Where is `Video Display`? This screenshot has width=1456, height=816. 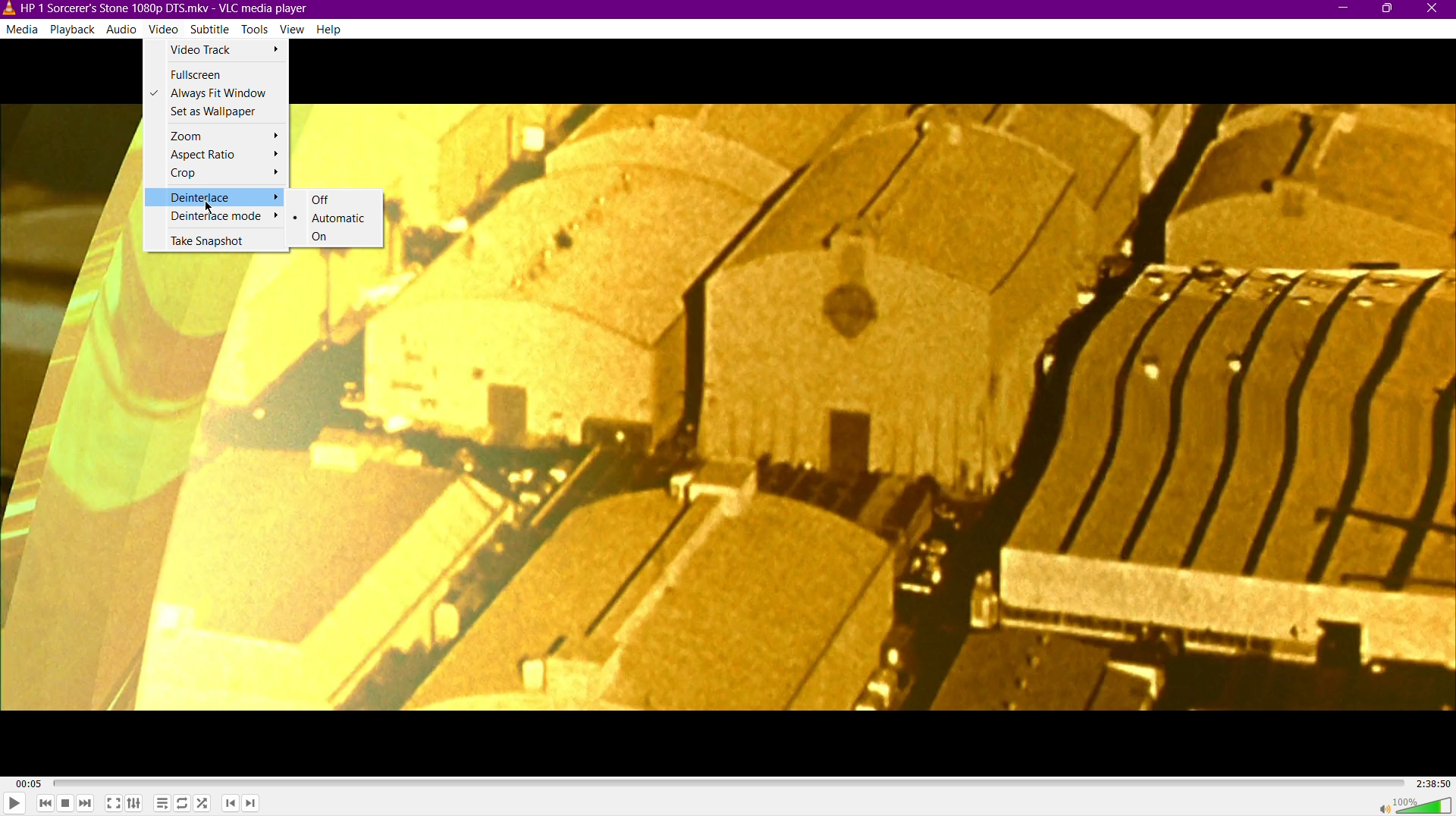 Video Display is located at coordinates (927, 406).